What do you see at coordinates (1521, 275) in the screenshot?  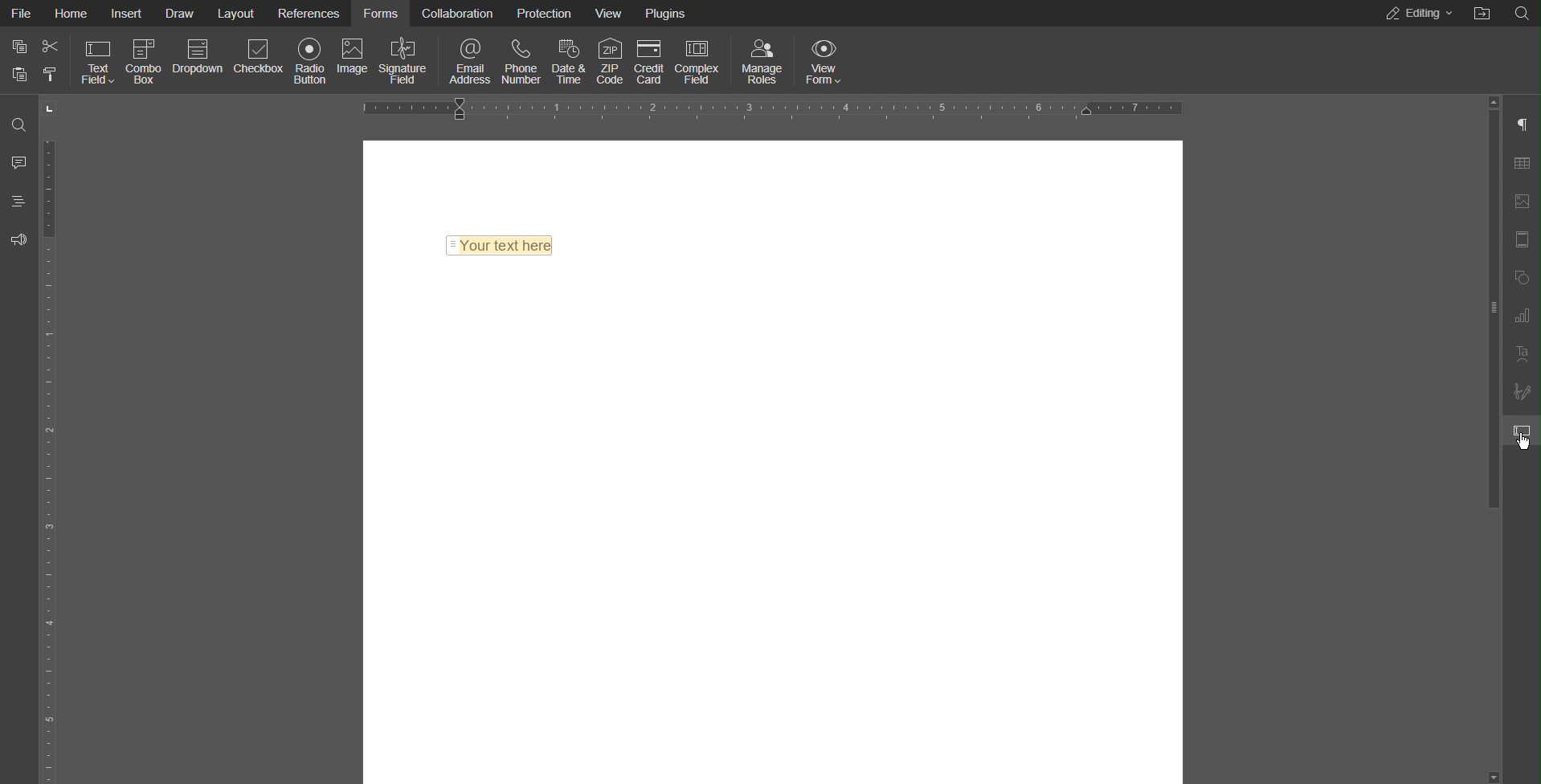 I see `Shape Settings` at bounding box center [1521, 275].